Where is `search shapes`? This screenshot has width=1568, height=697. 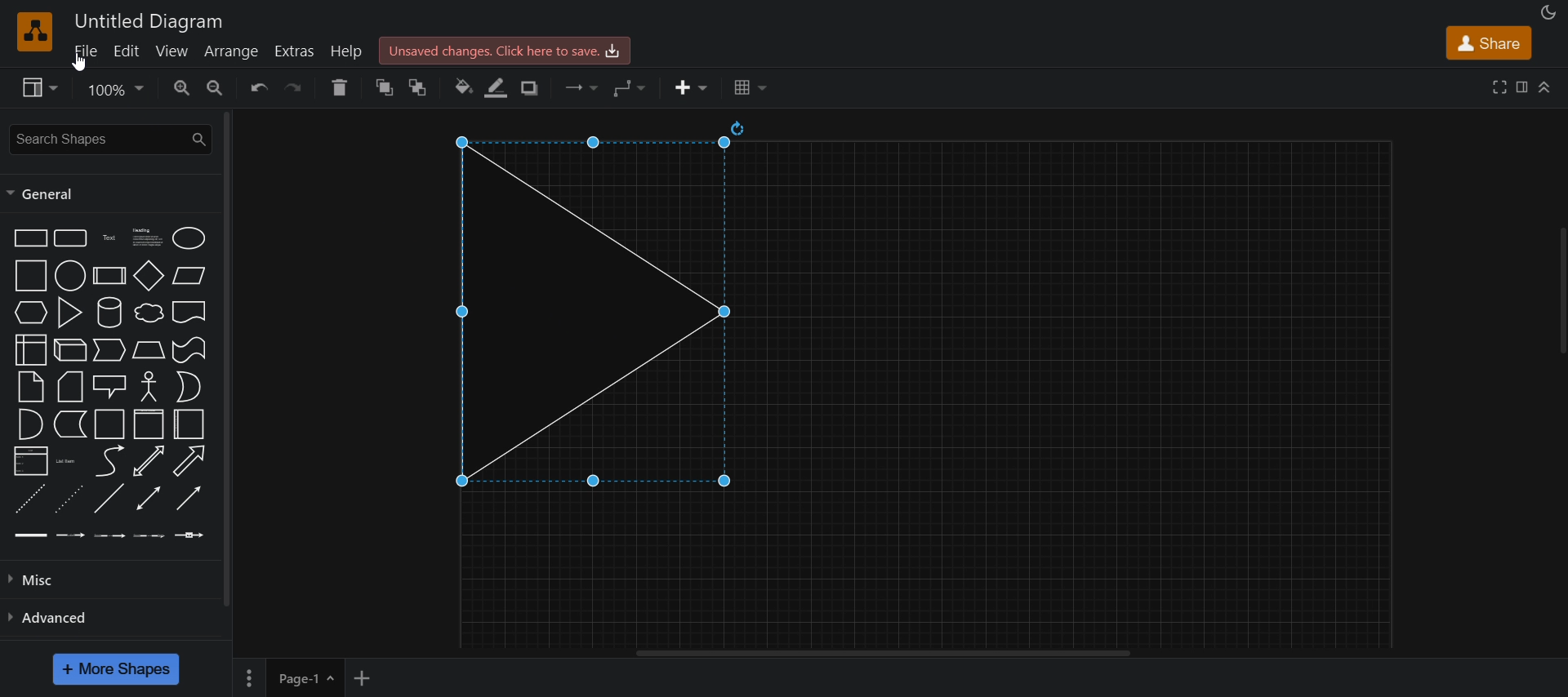 search shapes is located at coordinates (109, 139).